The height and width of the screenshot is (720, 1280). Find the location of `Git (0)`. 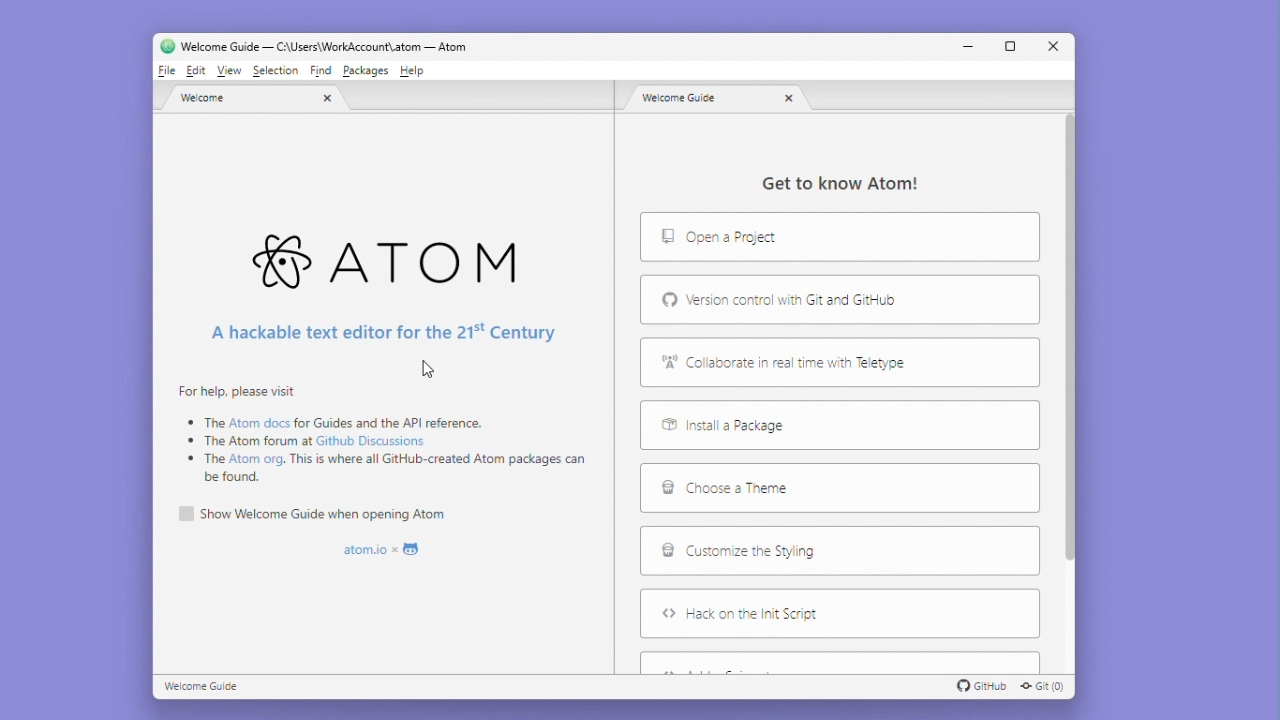

Git (0) is located at coordinates (1046, 687).